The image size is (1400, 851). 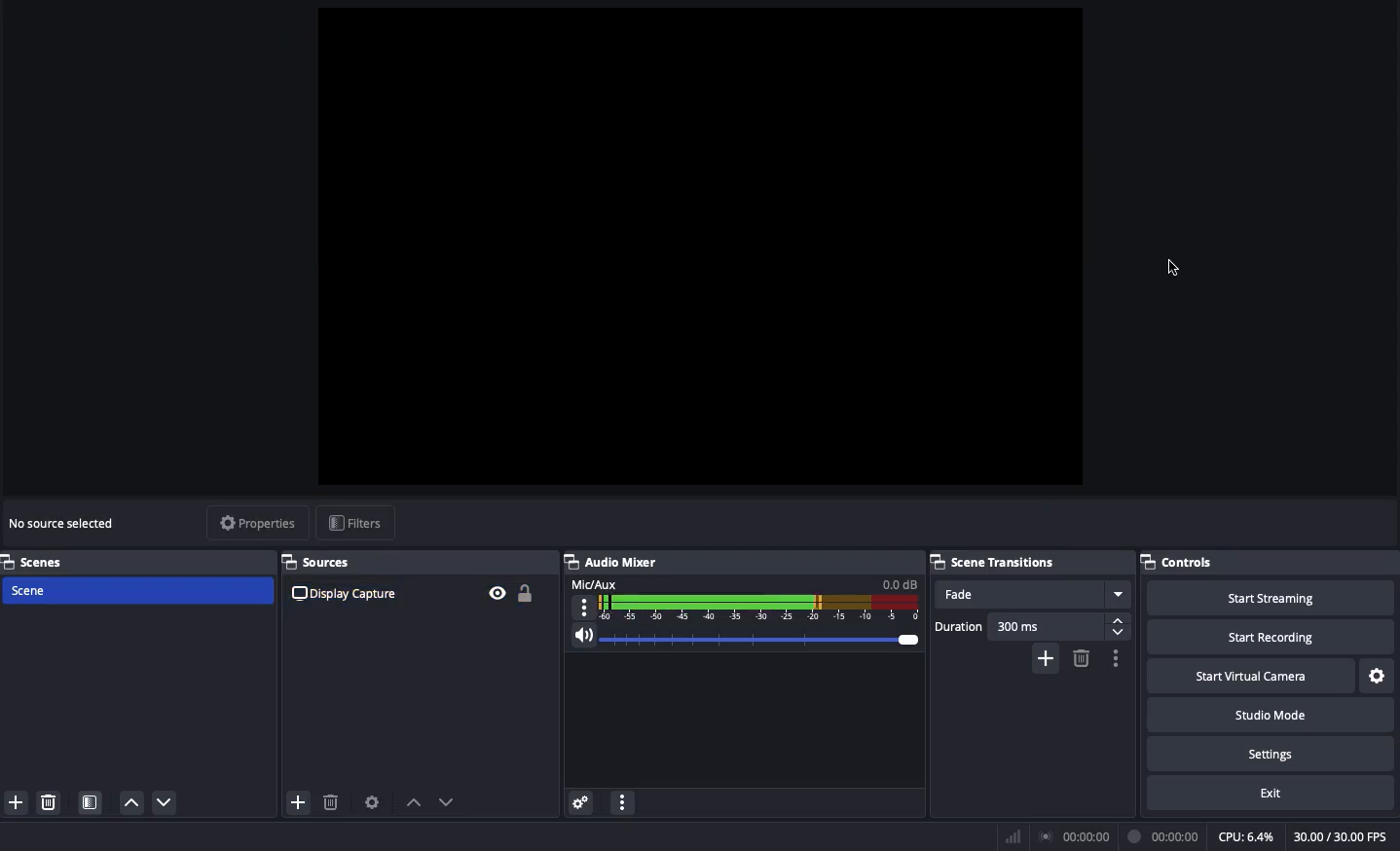 I want to click on Scene, so click(x=135, y=592).